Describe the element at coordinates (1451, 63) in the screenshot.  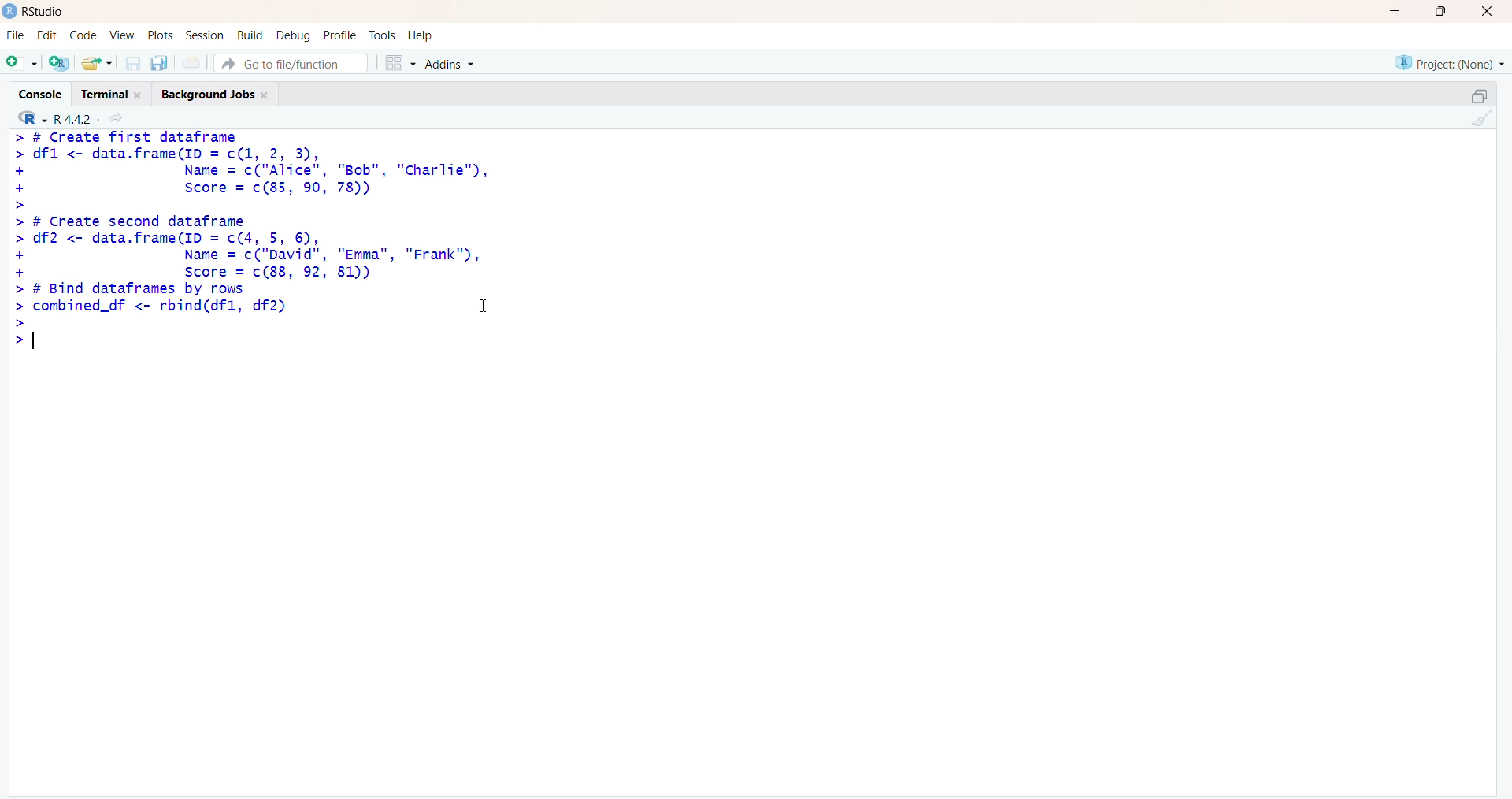
I see `Project: (None)` at that location.